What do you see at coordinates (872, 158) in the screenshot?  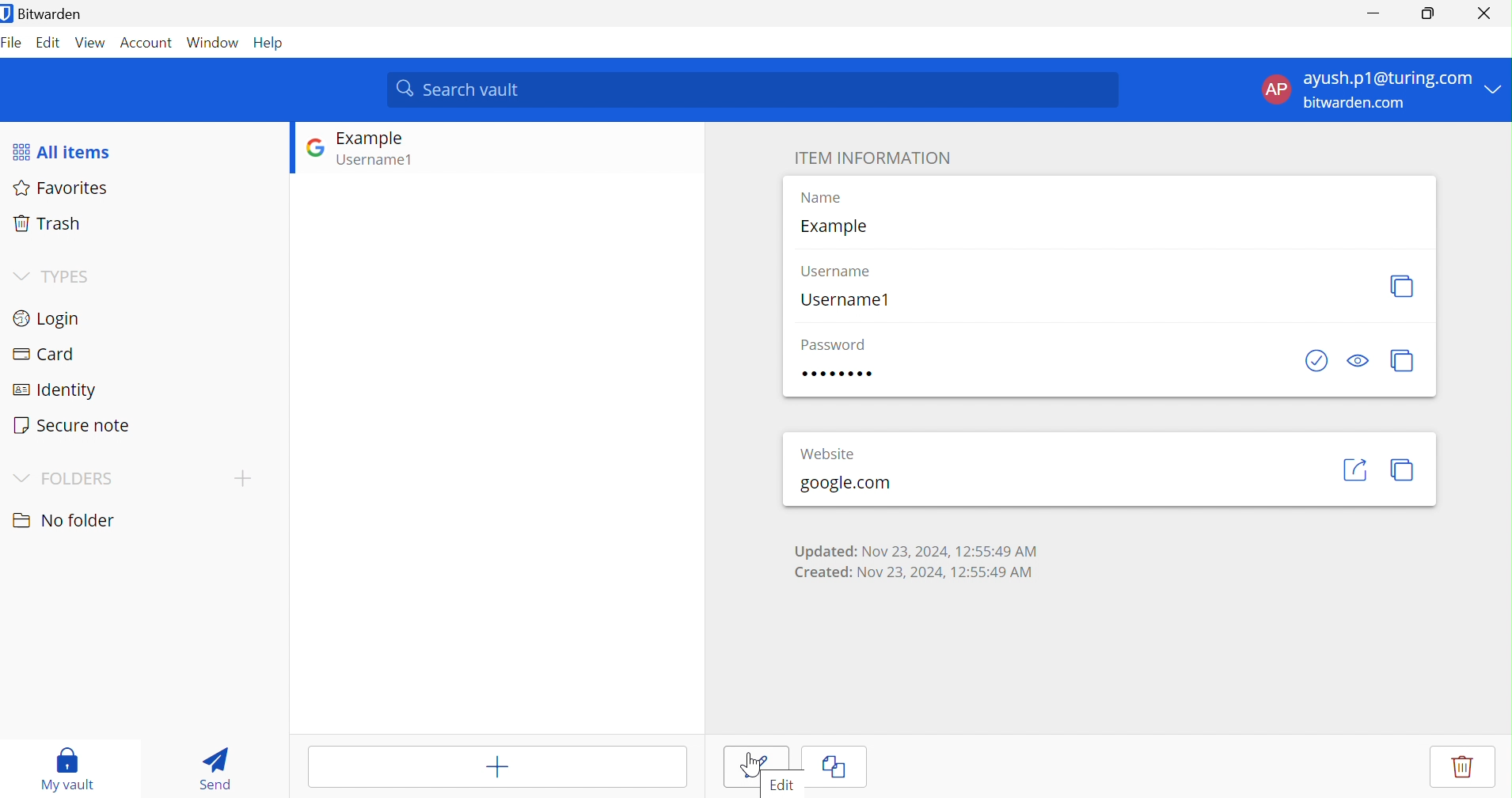 I see `ITEM INFORMATION` at bounding box center [872, 158].